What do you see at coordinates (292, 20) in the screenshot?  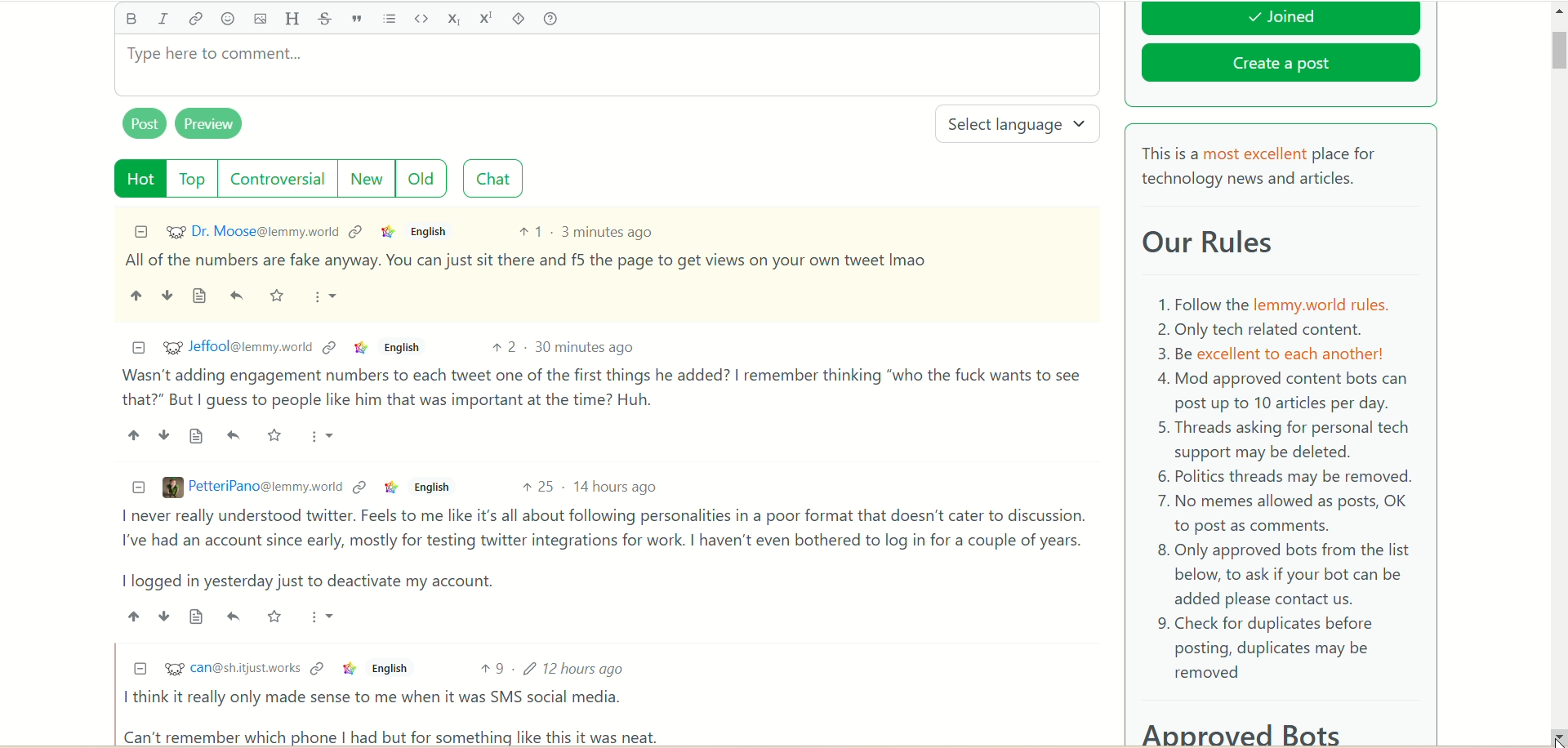 I see `header` at bounding box center [292, 20].